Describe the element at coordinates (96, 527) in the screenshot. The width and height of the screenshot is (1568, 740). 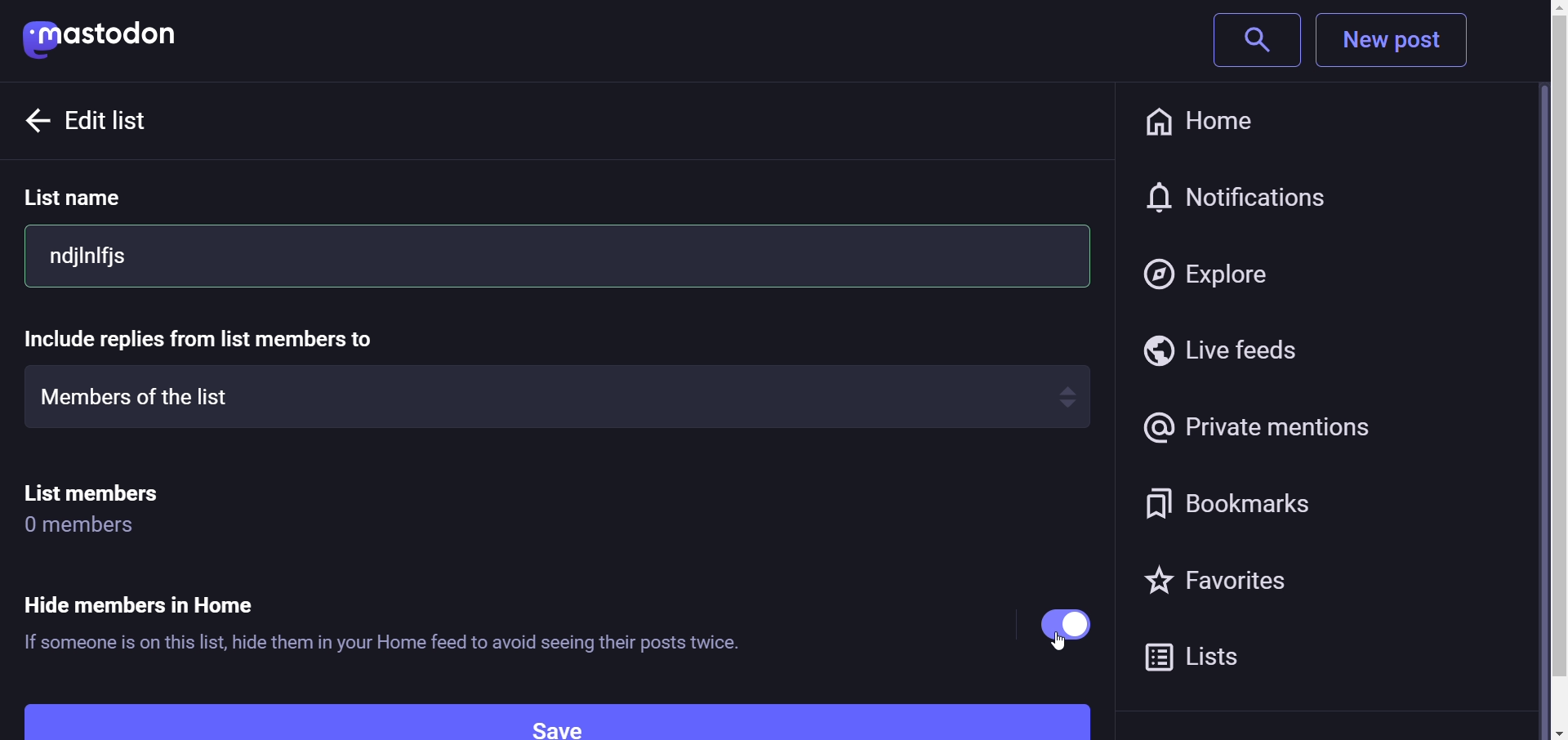
I see `0 members` at that location.